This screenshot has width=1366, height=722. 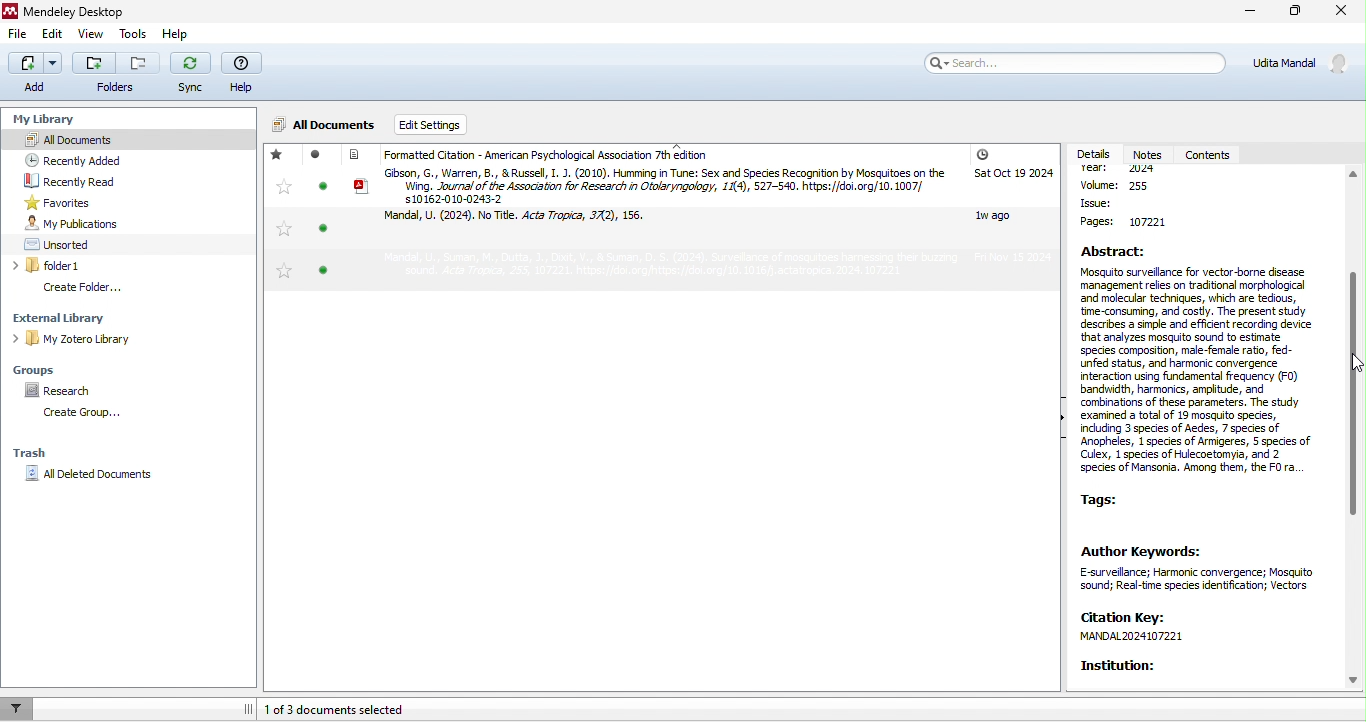 What do you see at coordinates (108, 317) in the screenshot?
I see `external library` at bounding box center [108, 317].